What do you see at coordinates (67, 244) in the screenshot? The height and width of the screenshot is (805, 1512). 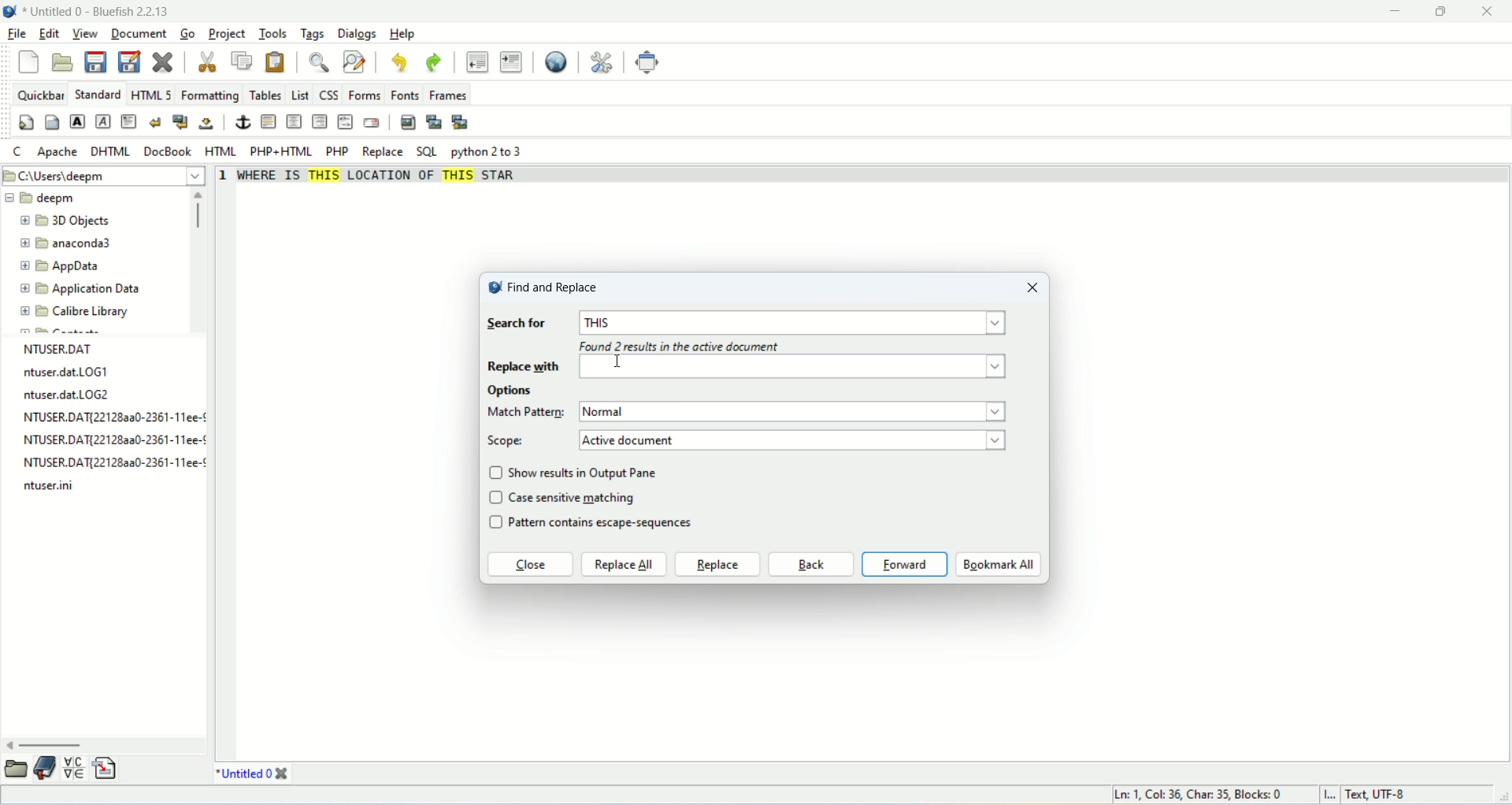 I see `anaconda3` at bounding box center [67, 244].